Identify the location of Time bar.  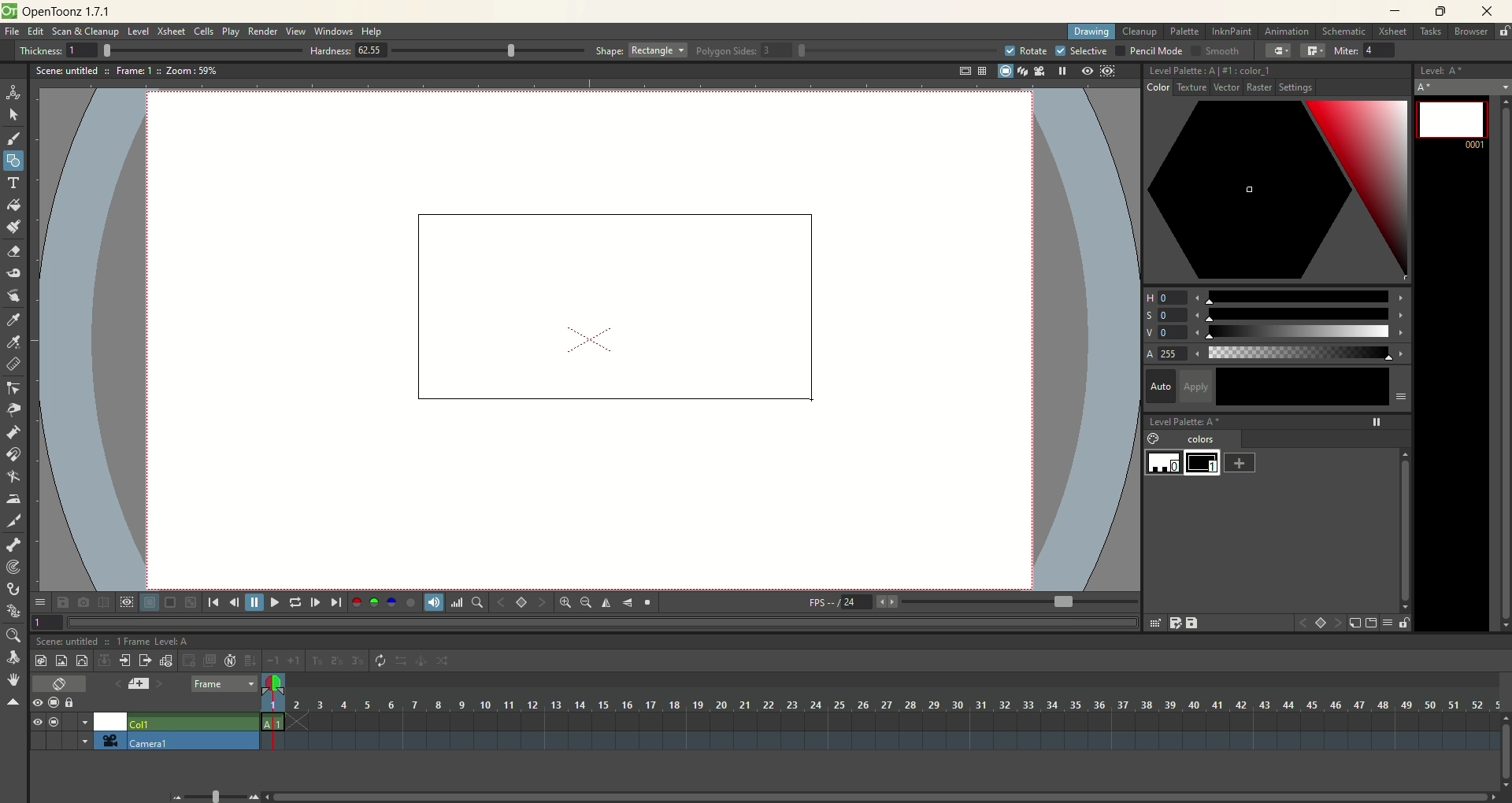
(893, 705).